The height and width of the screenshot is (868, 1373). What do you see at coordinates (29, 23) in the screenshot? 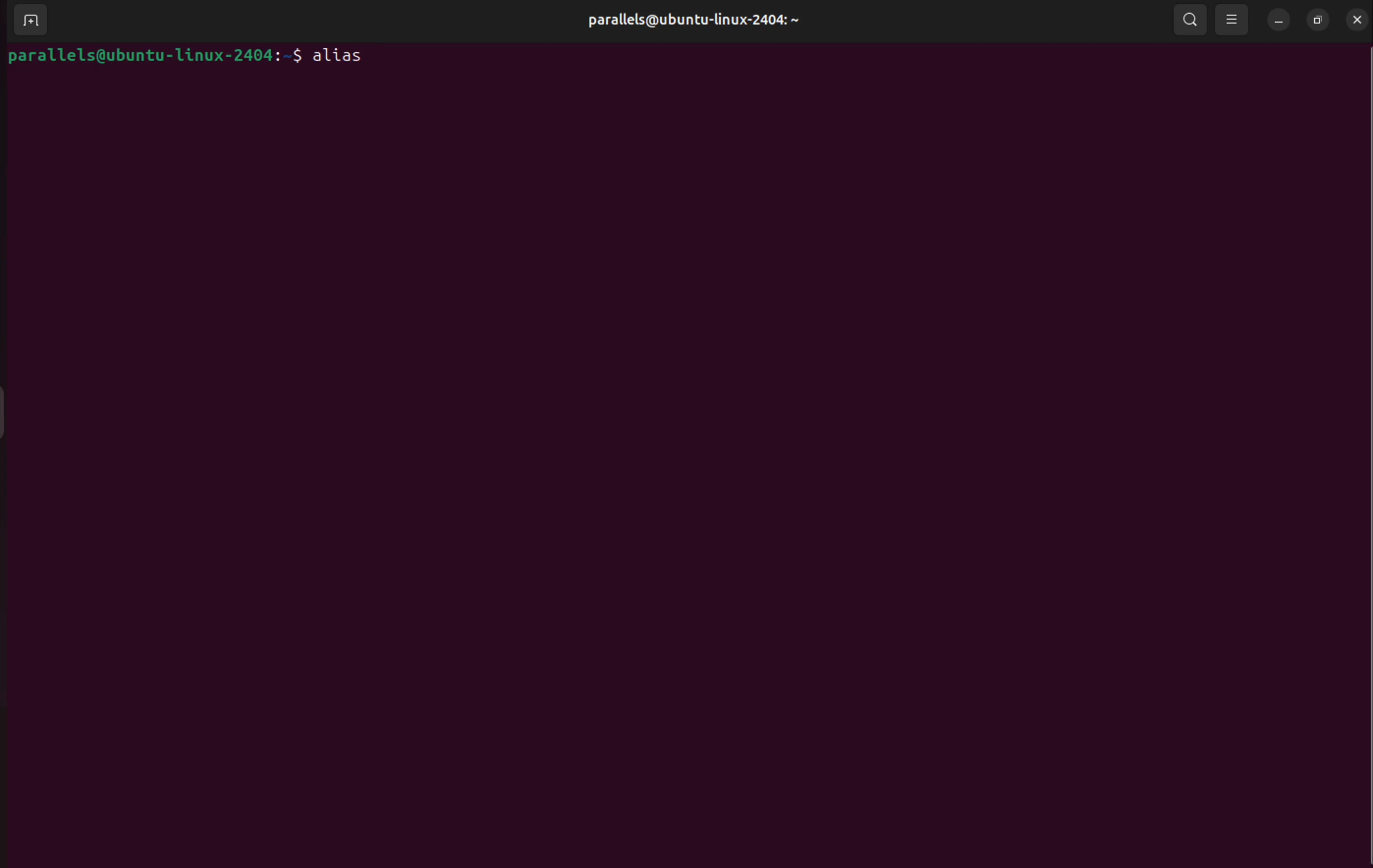
I see `add terminal` at bounding box center [29, 23].